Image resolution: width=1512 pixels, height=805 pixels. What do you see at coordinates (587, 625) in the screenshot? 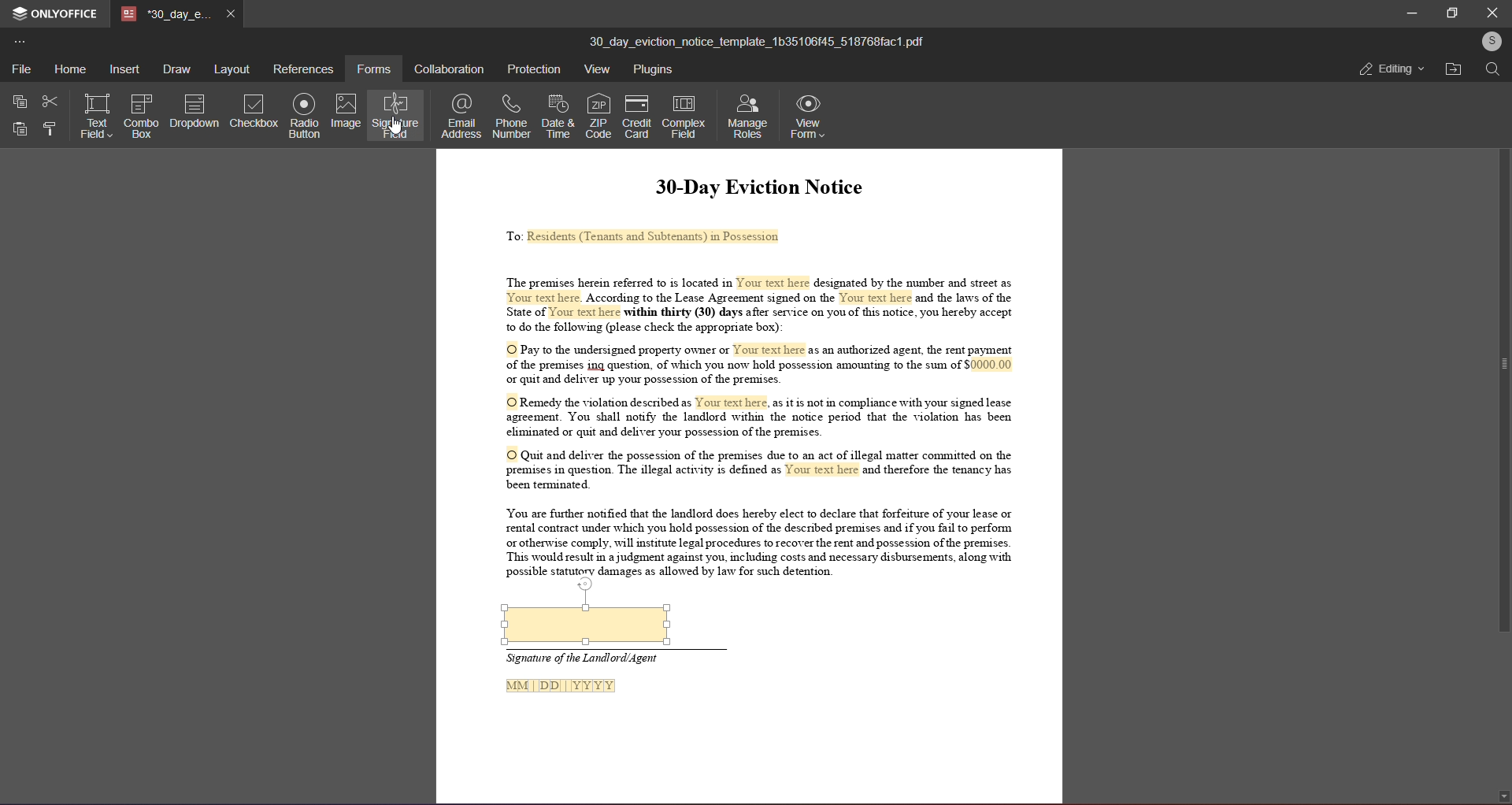
I see `signature field inserted` at bounding box center [587, 625].